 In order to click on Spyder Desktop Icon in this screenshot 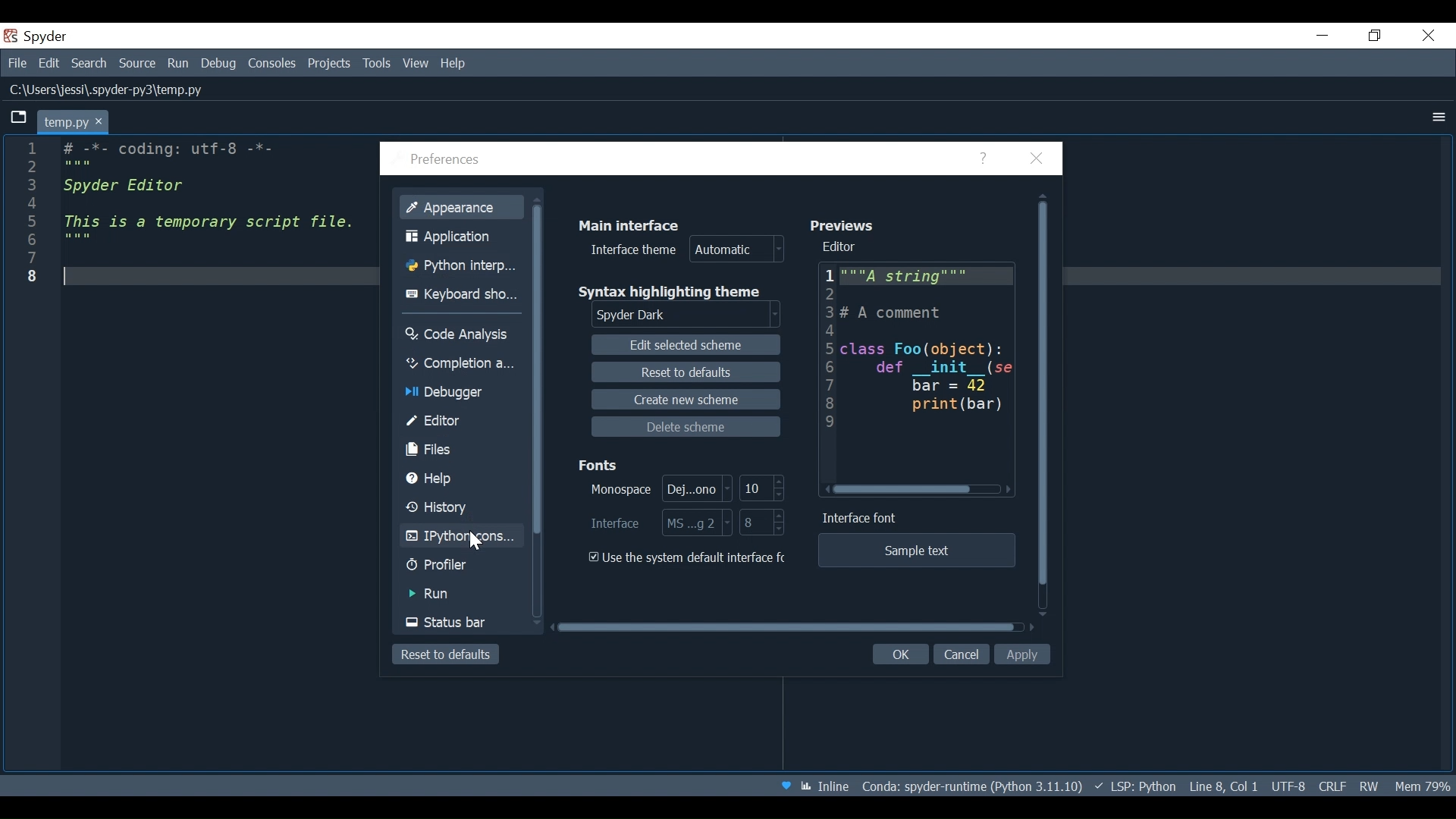, I will do `click(36, 36)`.